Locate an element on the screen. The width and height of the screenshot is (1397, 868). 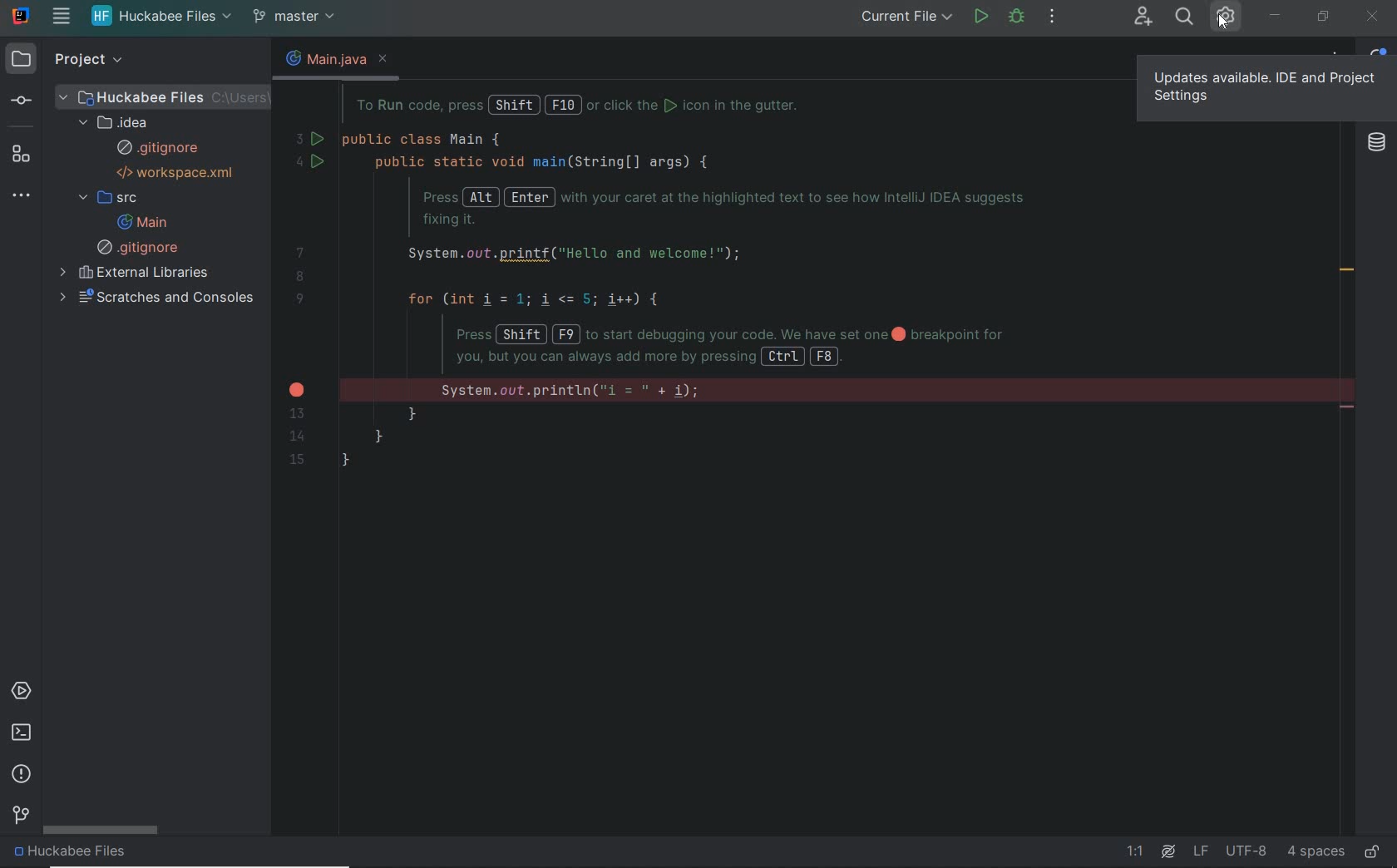
line separator is located at coordinates (1200, 851).